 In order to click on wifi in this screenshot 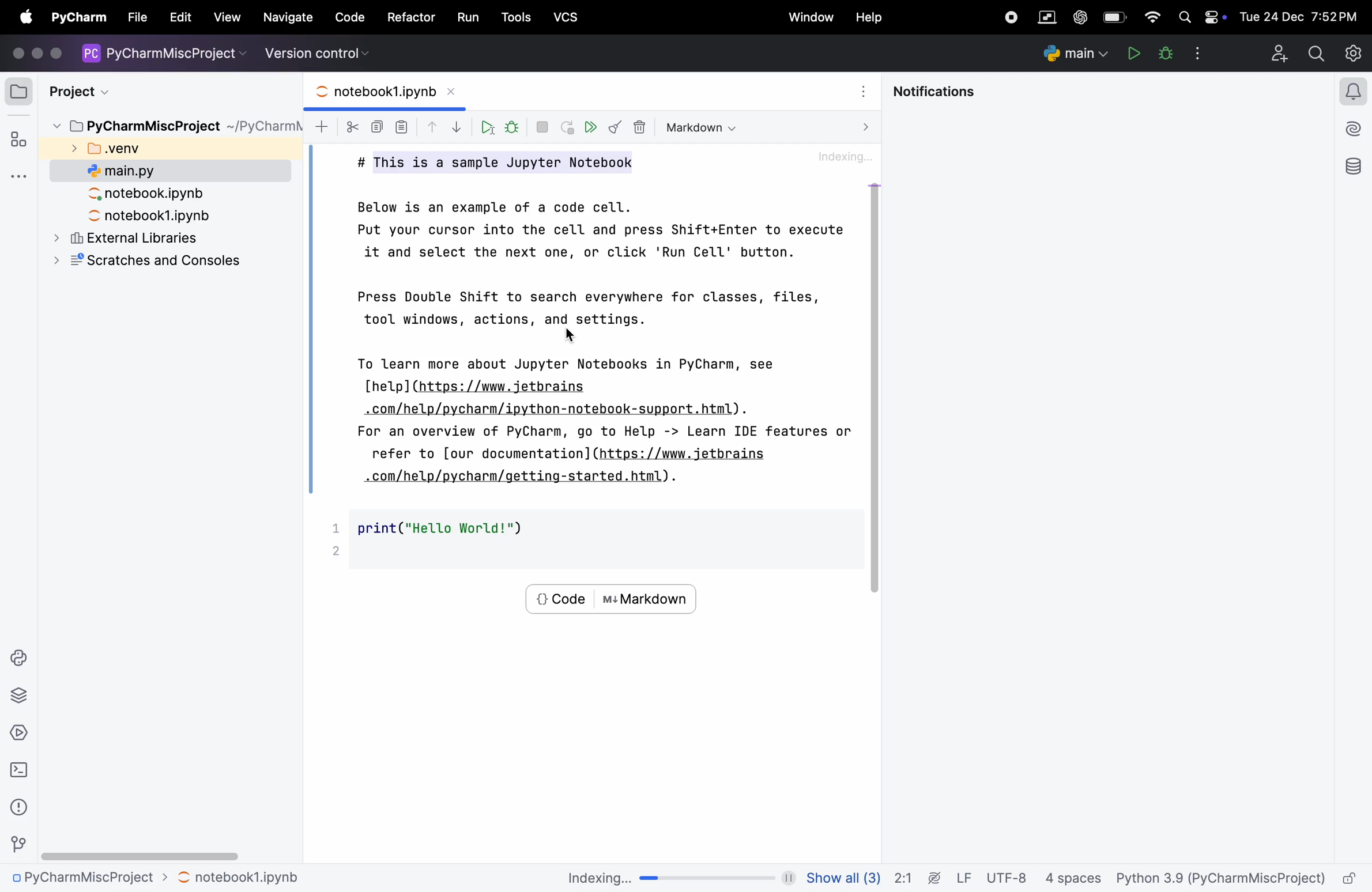, I will do `click(1148, 17)`.